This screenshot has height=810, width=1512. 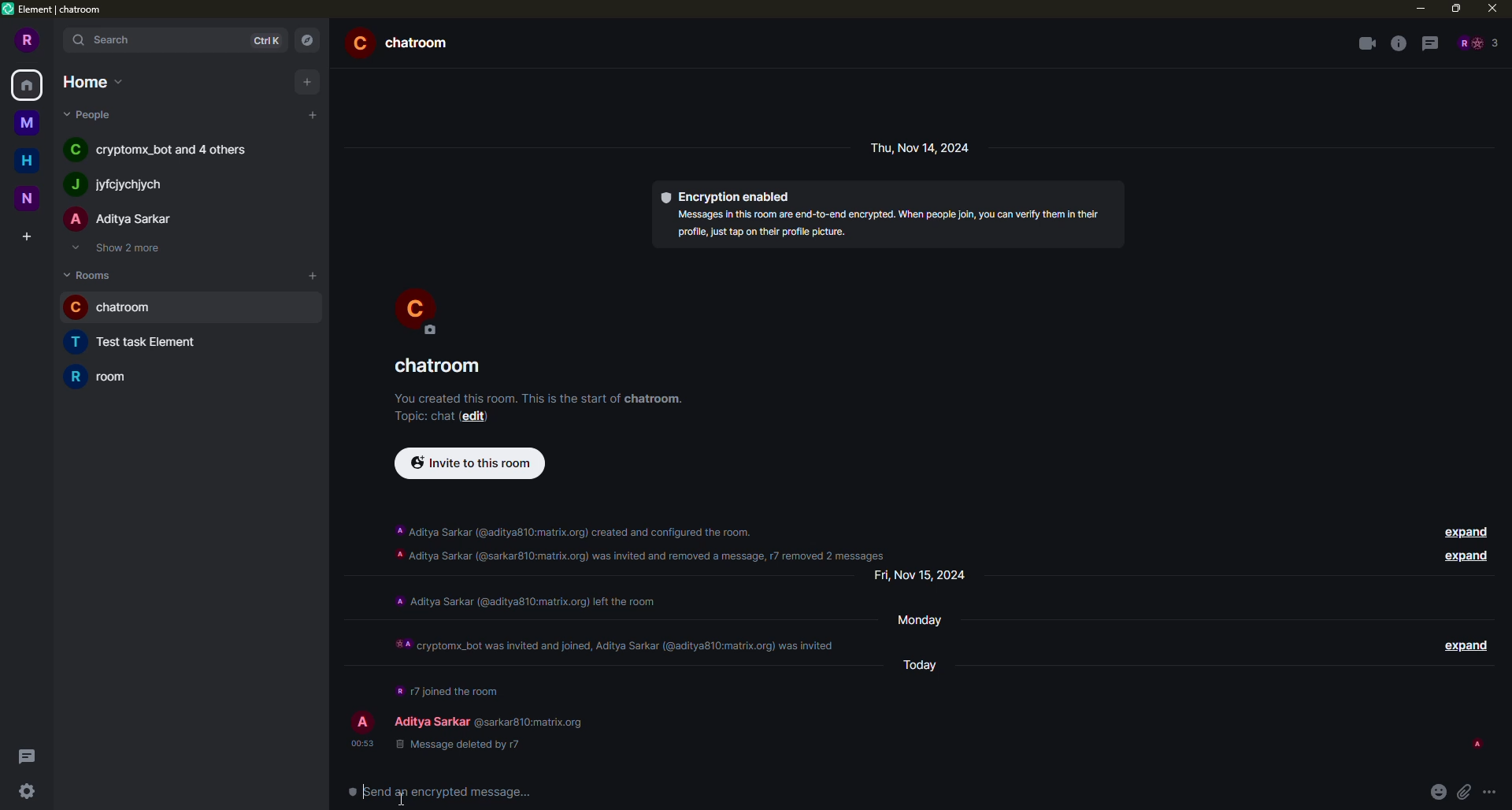 I want to click on people, so click(x=116, y=185).